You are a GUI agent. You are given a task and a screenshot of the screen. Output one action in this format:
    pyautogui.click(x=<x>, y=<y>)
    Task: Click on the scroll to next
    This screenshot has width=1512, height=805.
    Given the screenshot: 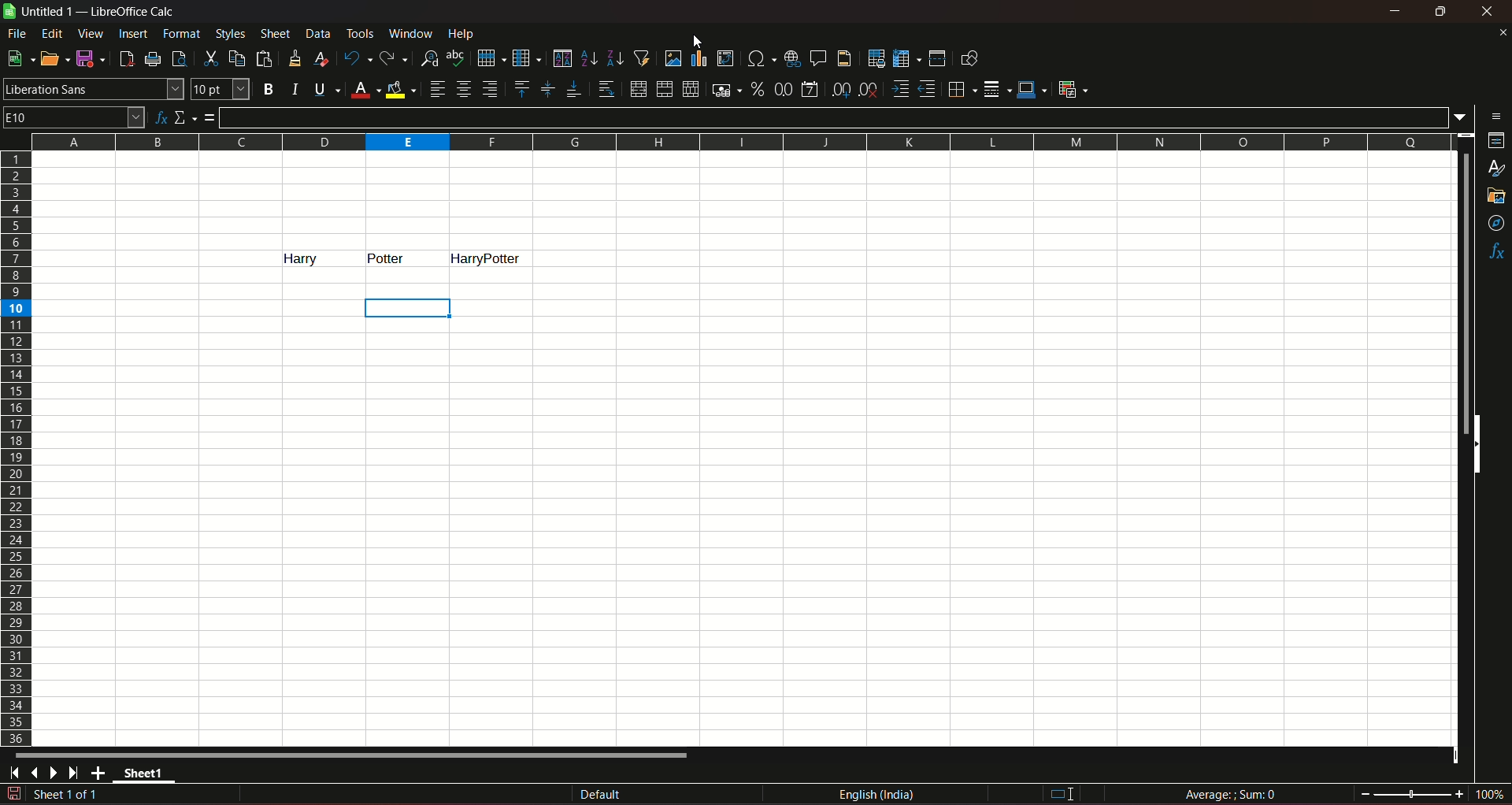 What is the action you would take?
    pyautogui.click(x=57, y=773)
    